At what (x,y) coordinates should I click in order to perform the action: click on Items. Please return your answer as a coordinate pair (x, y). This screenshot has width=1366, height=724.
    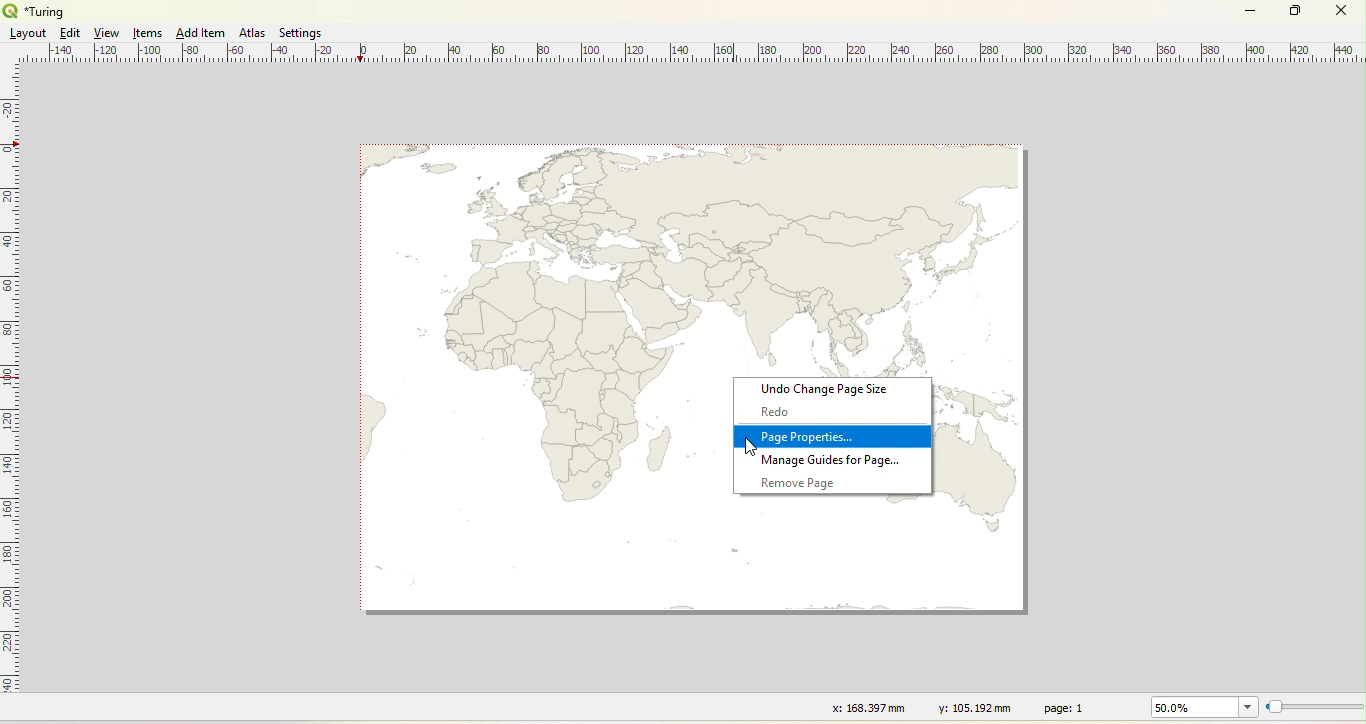
    Looking at the image, I should click on (149, 34).